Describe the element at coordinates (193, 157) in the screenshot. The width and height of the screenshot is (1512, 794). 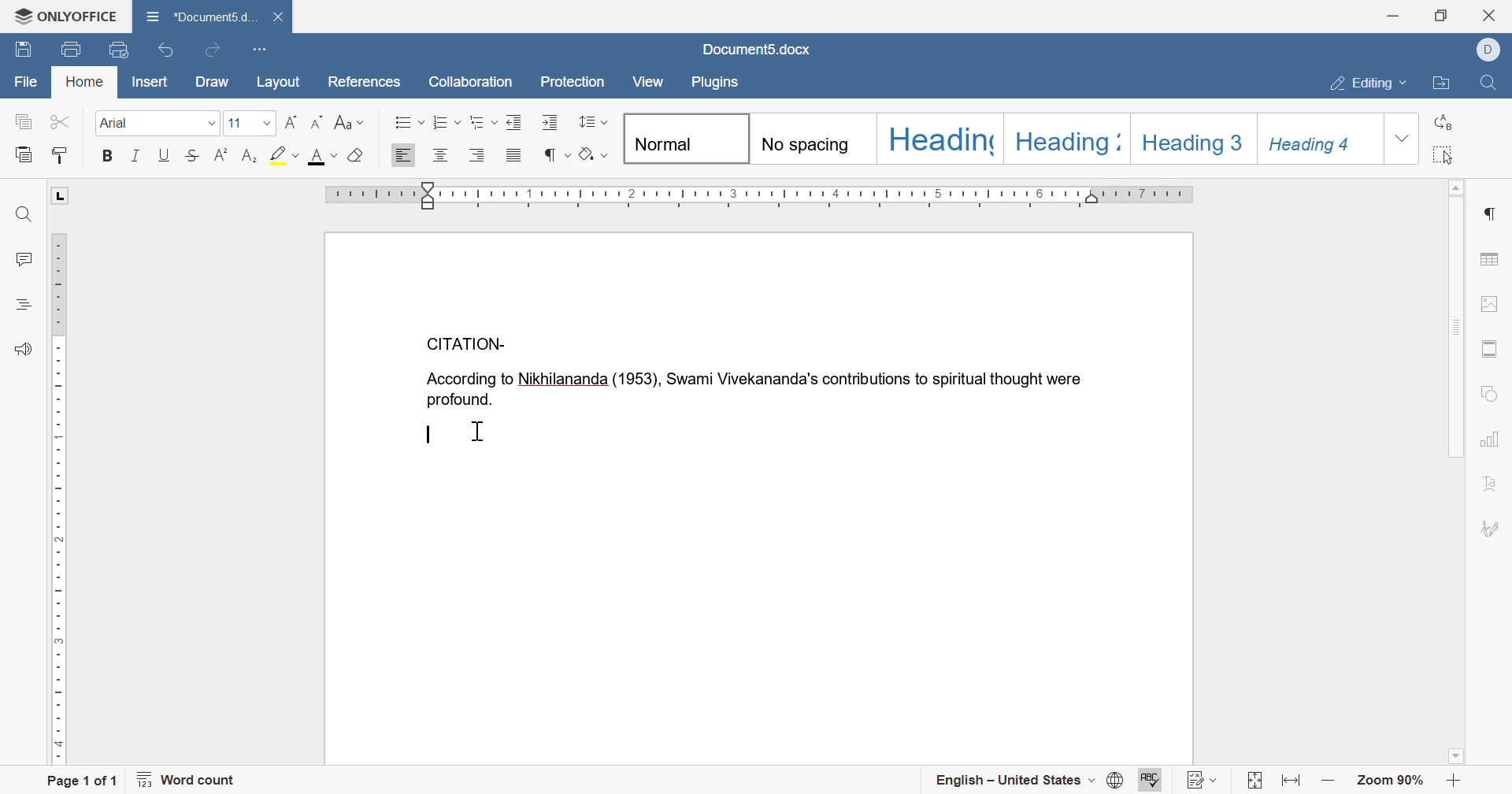
I see `strikethrough` at that location.